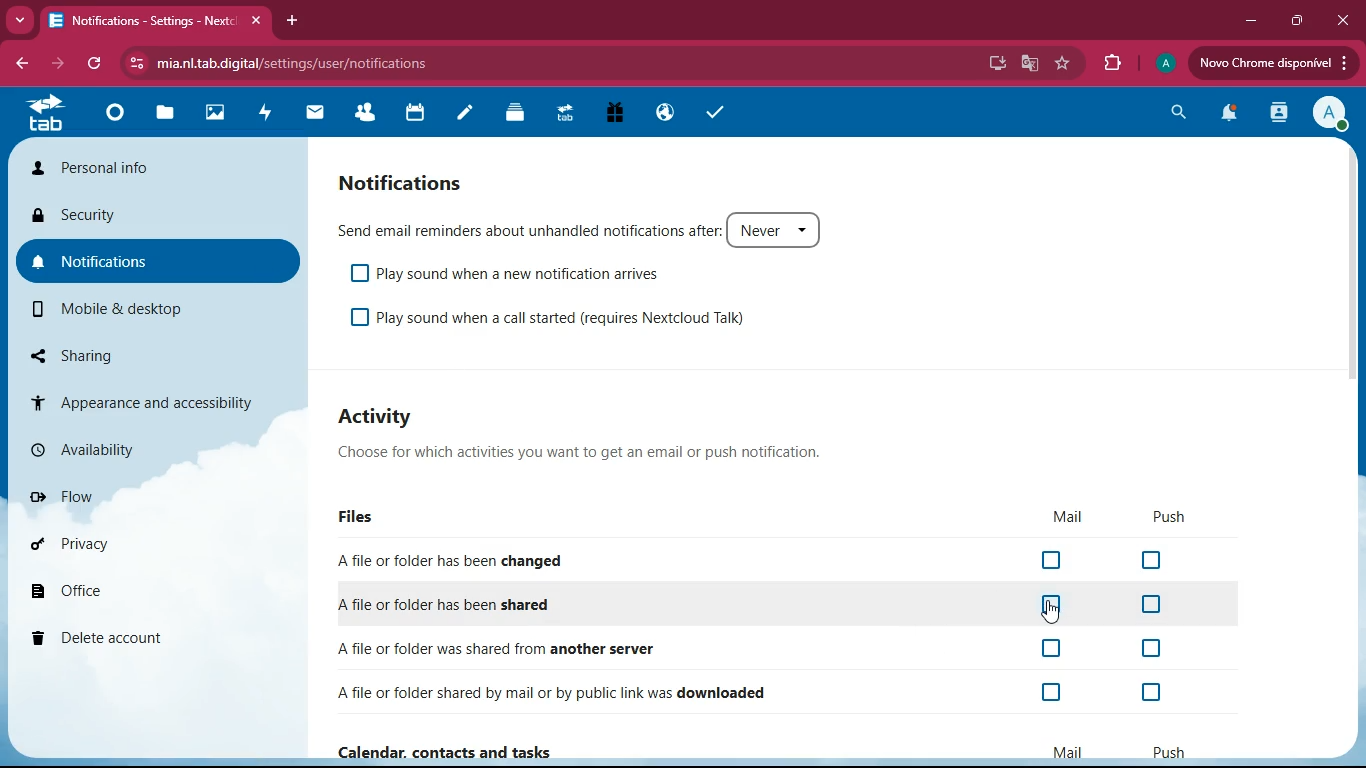 The width and height of the screenshot is (1366, 768). What do you see at coordinates (615, 114) in the screenshot?
I see `gift` at bounding box center [615, 114].